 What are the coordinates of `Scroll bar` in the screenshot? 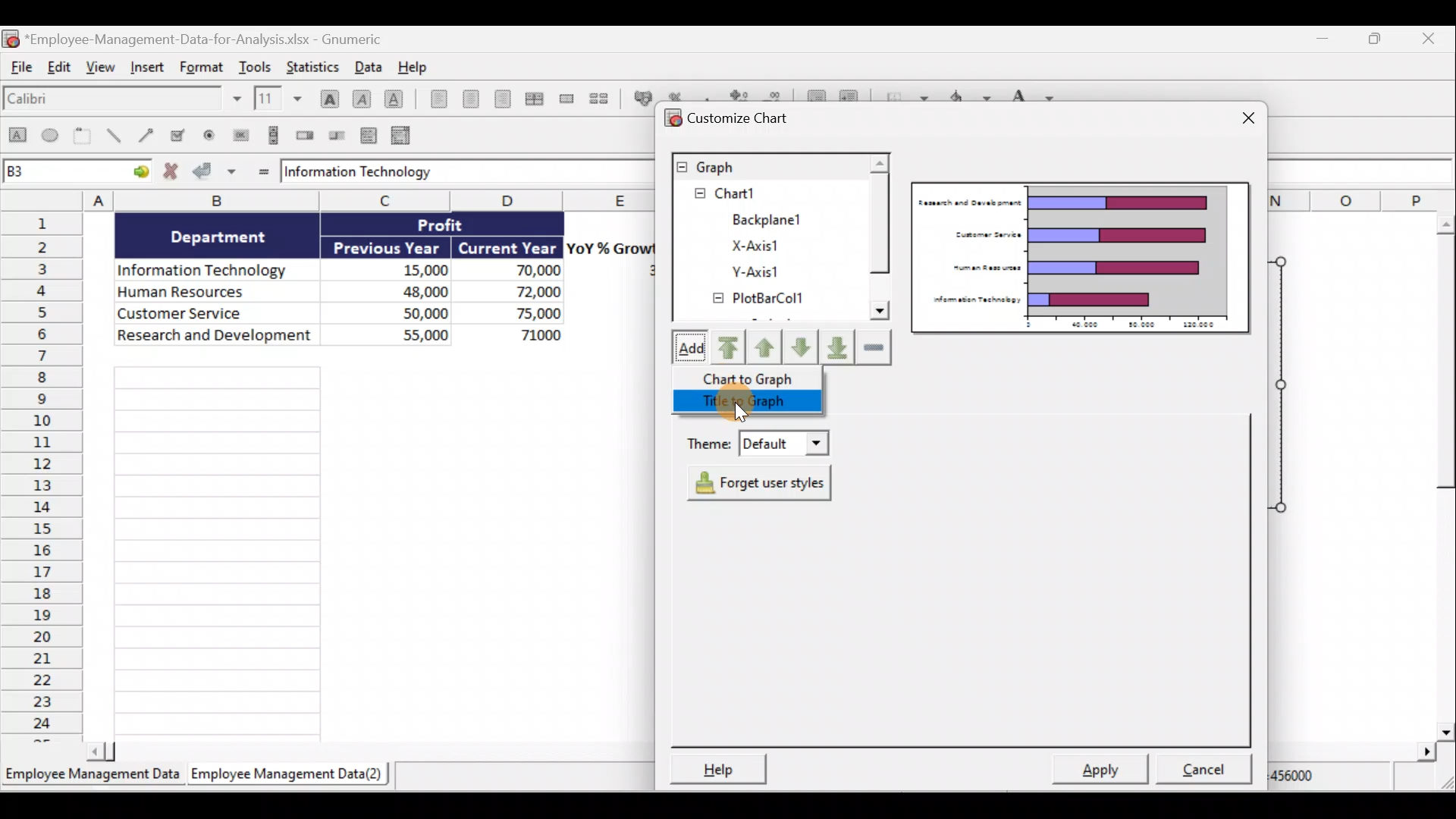 It's located at (370, 755).